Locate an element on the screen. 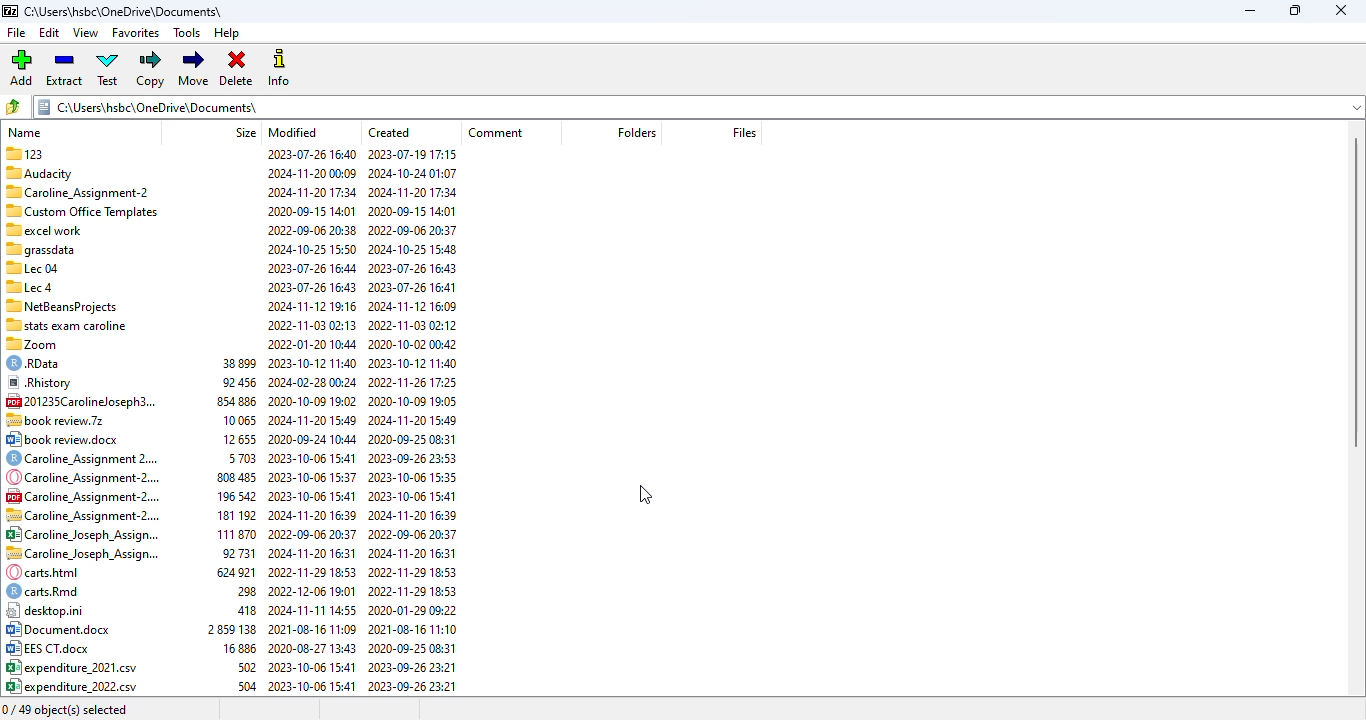  created is located at coordinates (389, 132).